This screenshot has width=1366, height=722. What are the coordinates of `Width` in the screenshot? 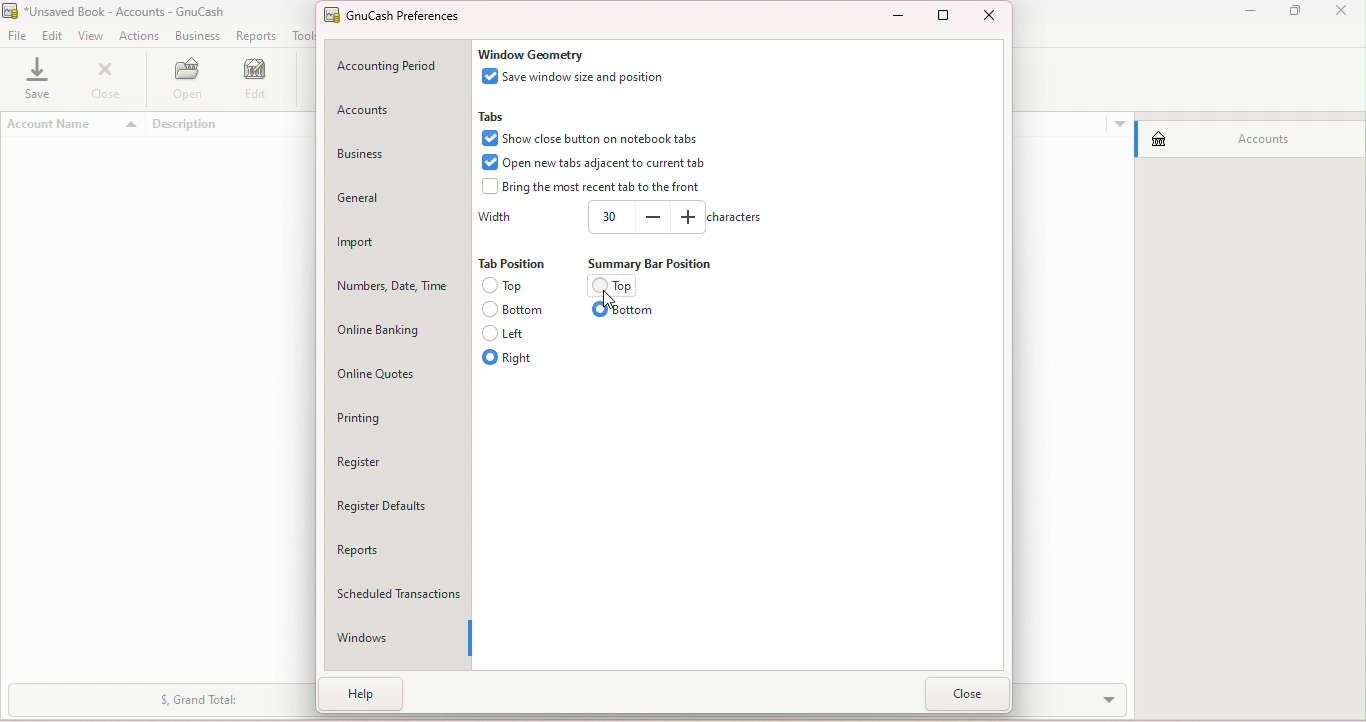 It's located at (644, 219).